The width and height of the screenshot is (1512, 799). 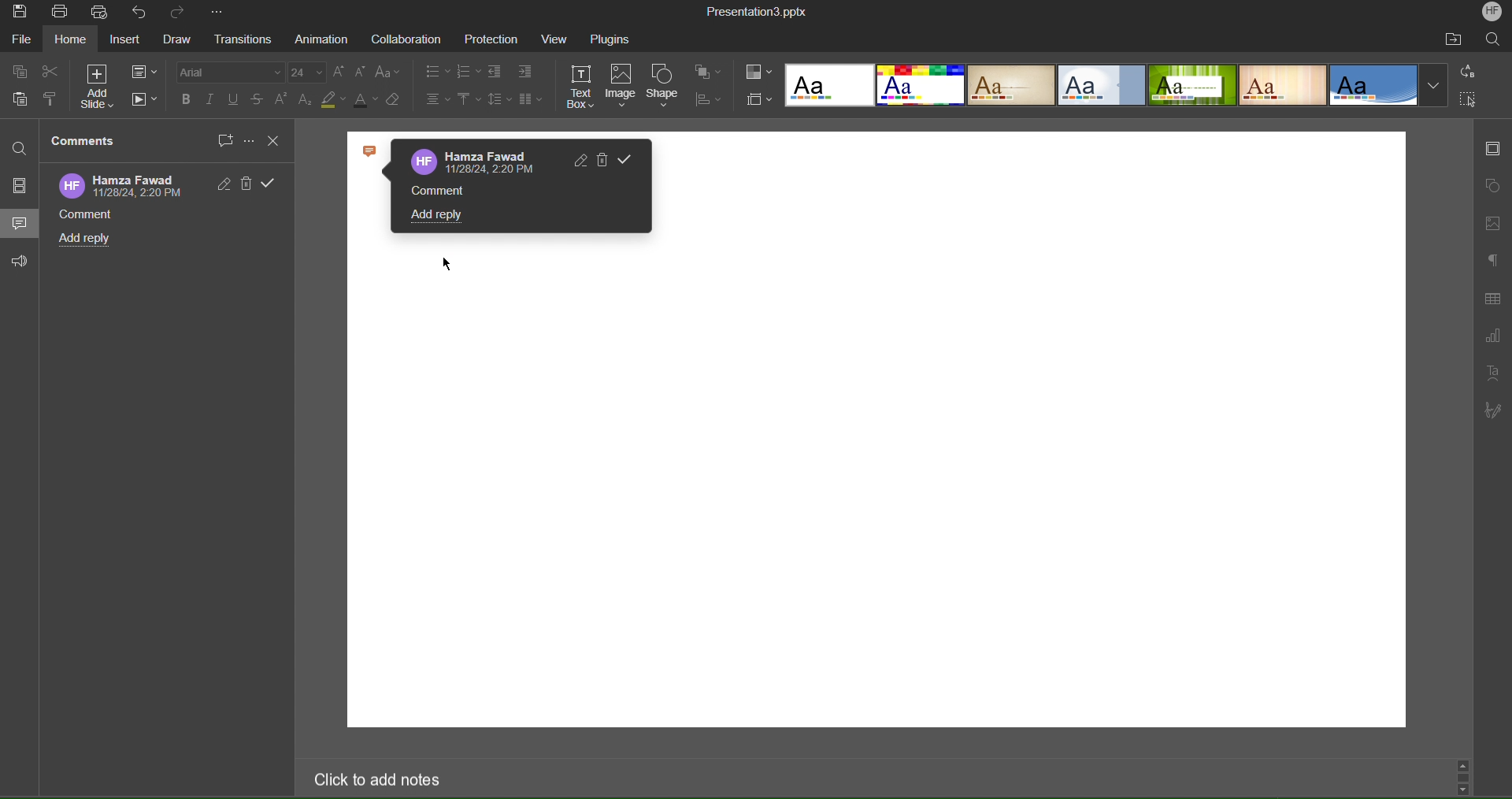 I want to click on Table, so click(x=1495, y=300).